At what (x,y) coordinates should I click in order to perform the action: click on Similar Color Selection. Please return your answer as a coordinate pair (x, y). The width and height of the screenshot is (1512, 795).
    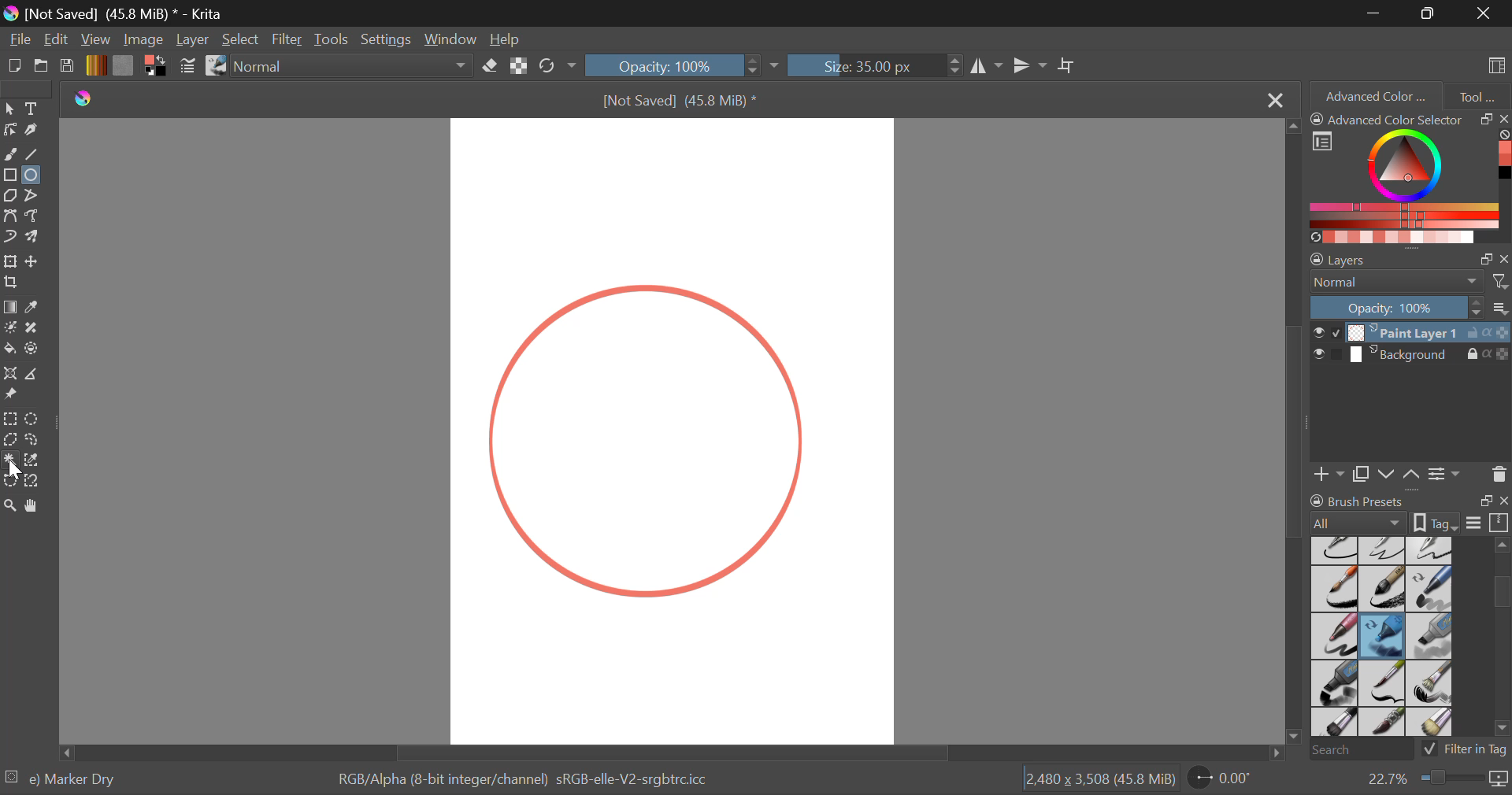
    Looking at the image, I should click on (36, 461).